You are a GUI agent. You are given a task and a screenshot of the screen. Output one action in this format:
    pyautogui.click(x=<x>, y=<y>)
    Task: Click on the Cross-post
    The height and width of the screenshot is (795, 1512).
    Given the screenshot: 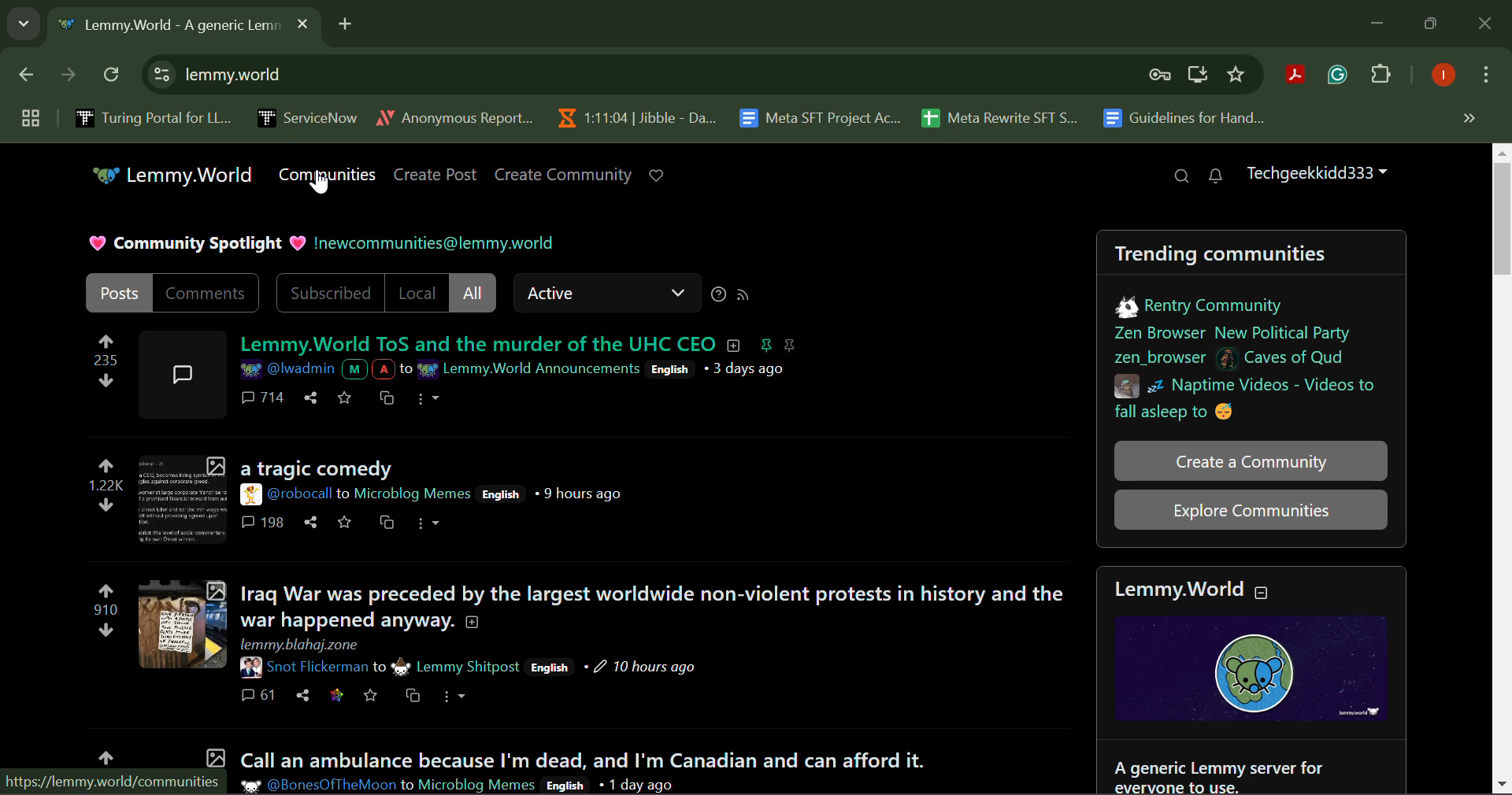 What is the action you would take?
    pyautogui.click(x=387, y=397)
    